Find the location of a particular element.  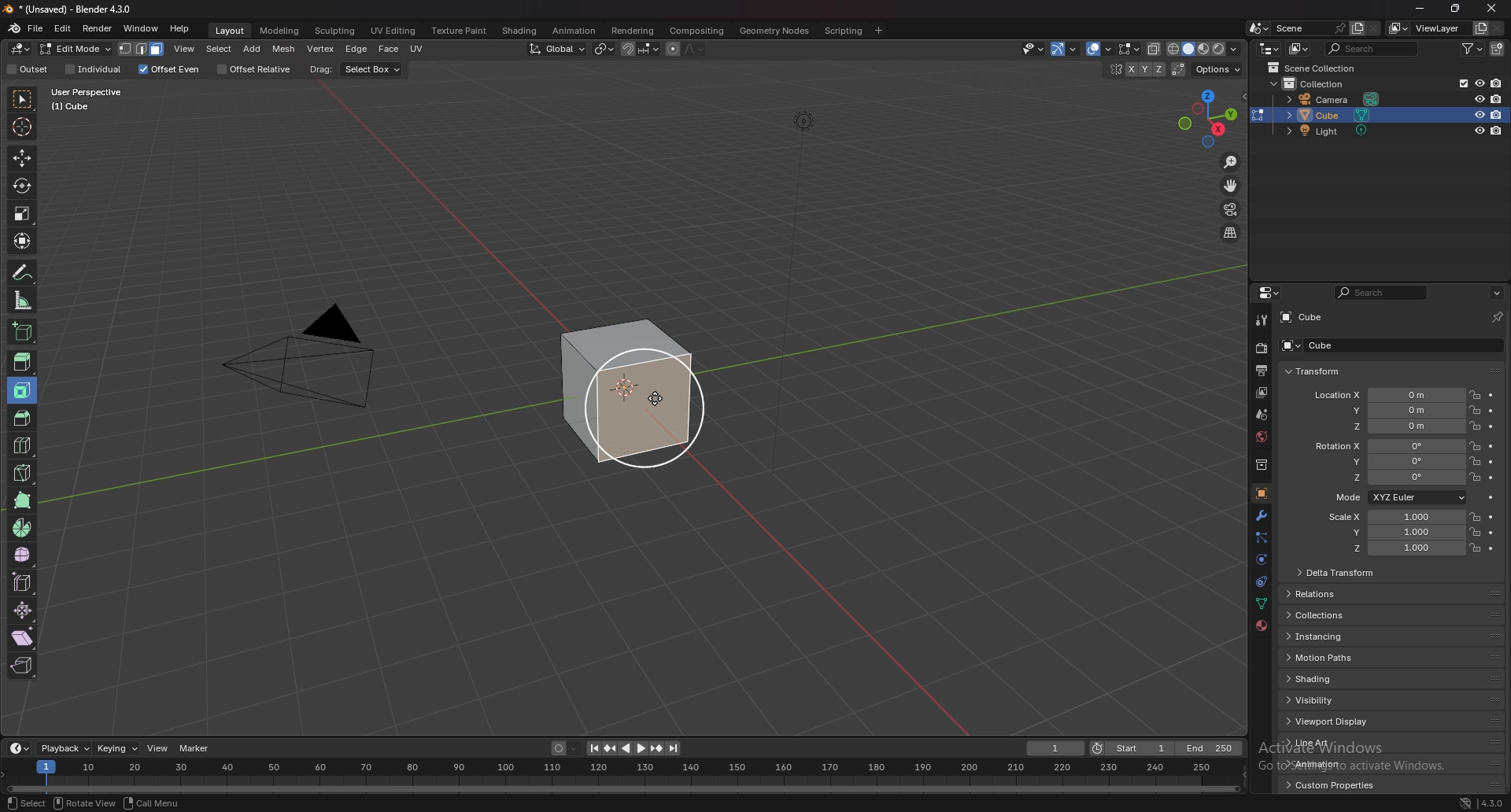

scene is located at coordinates (1261, 414).